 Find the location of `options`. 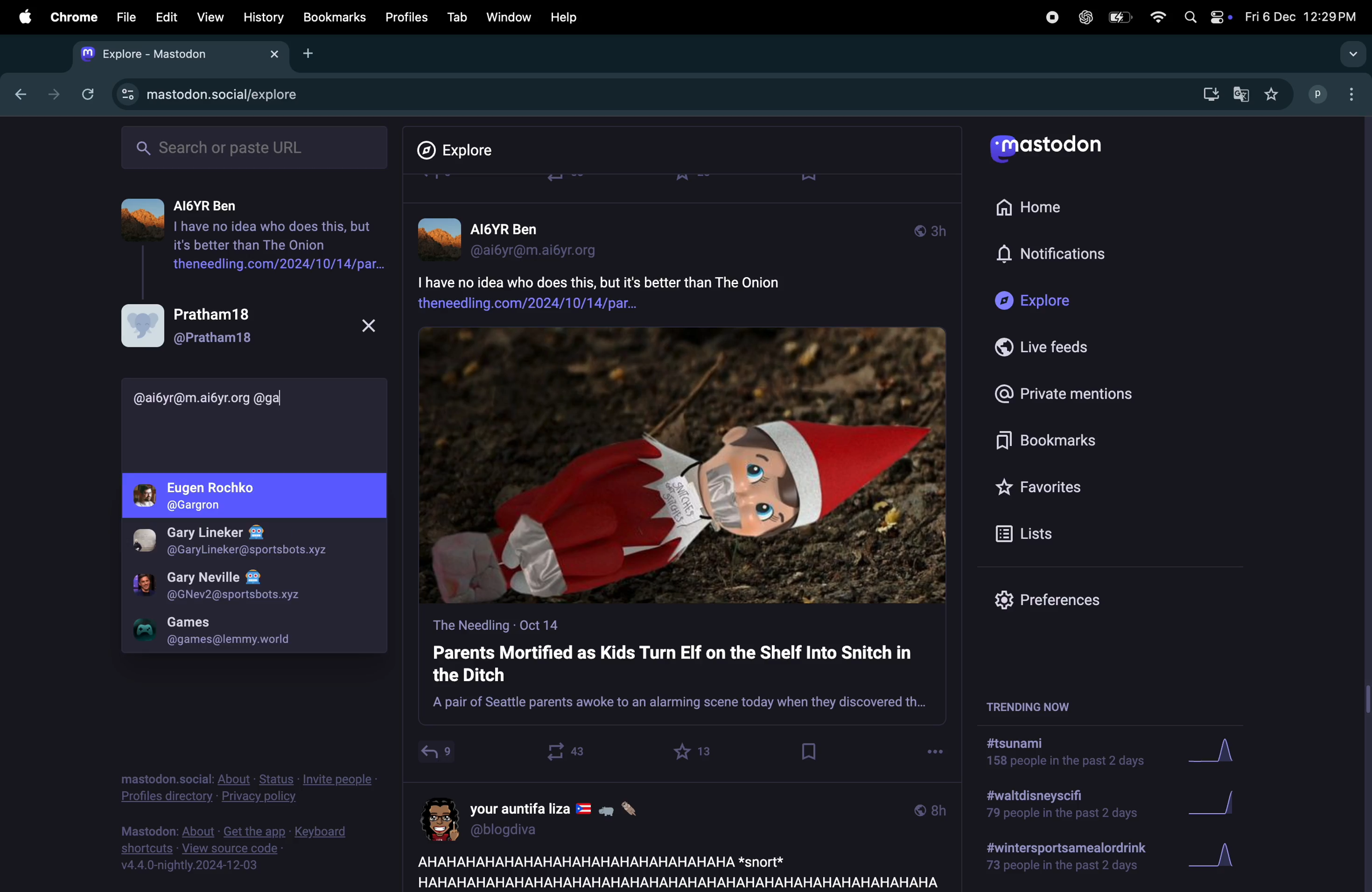

options is located at coordinates (935, 749).